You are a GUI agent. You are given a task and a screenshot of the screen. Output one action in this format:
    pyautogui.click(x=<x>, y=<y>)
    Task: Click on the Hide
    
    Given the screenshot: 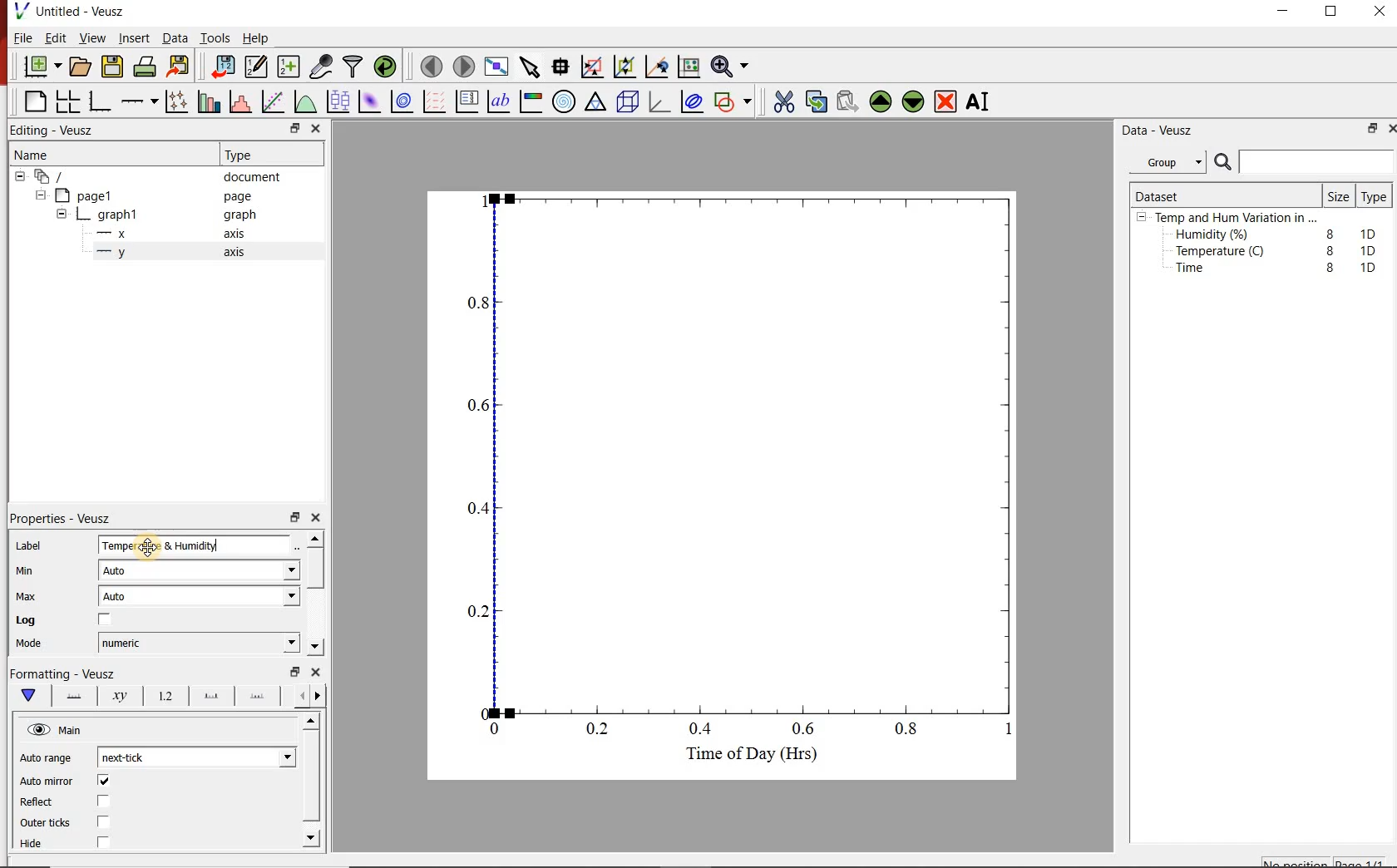 What is the action you would take?
    pyautogui.click(x=86, y=842)
    